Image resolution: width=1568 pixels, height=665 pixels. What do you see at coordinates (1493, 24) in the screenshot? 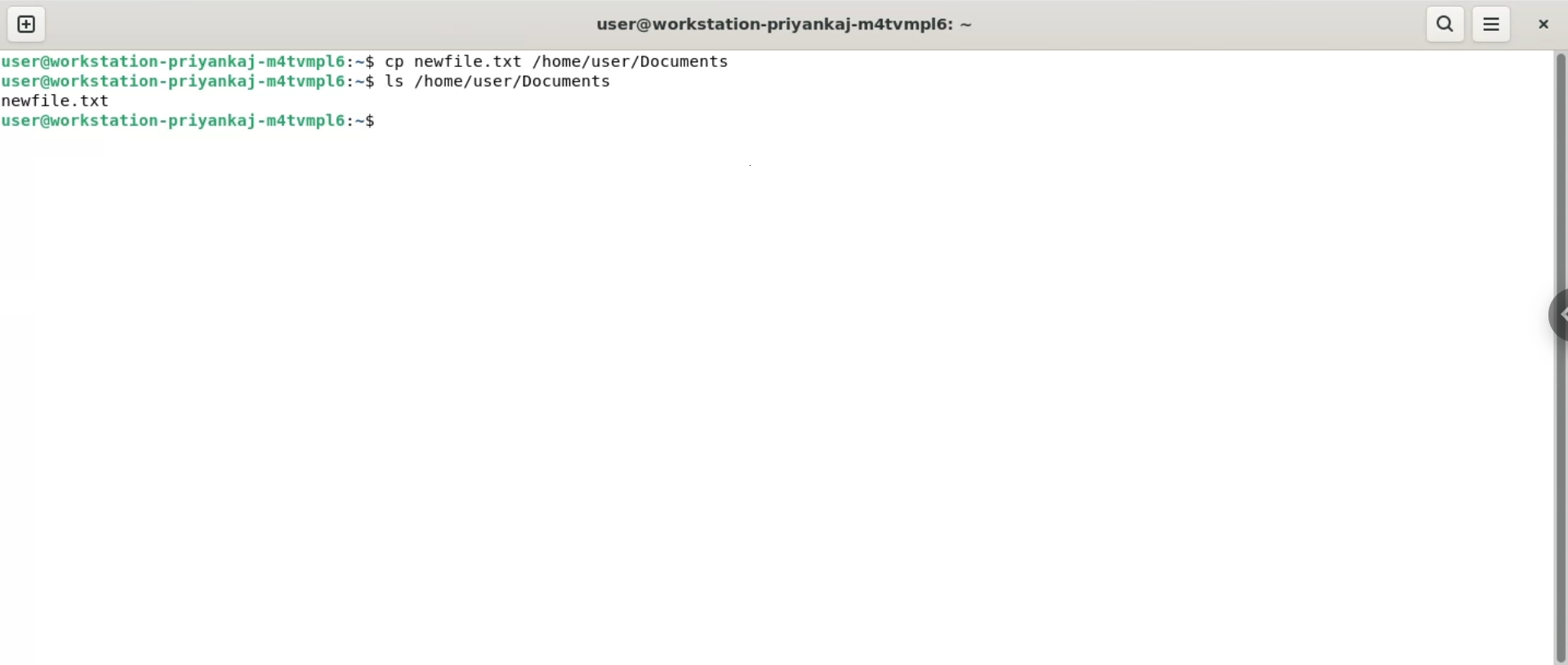
I see `menu` at bounding box center [1493, 24].